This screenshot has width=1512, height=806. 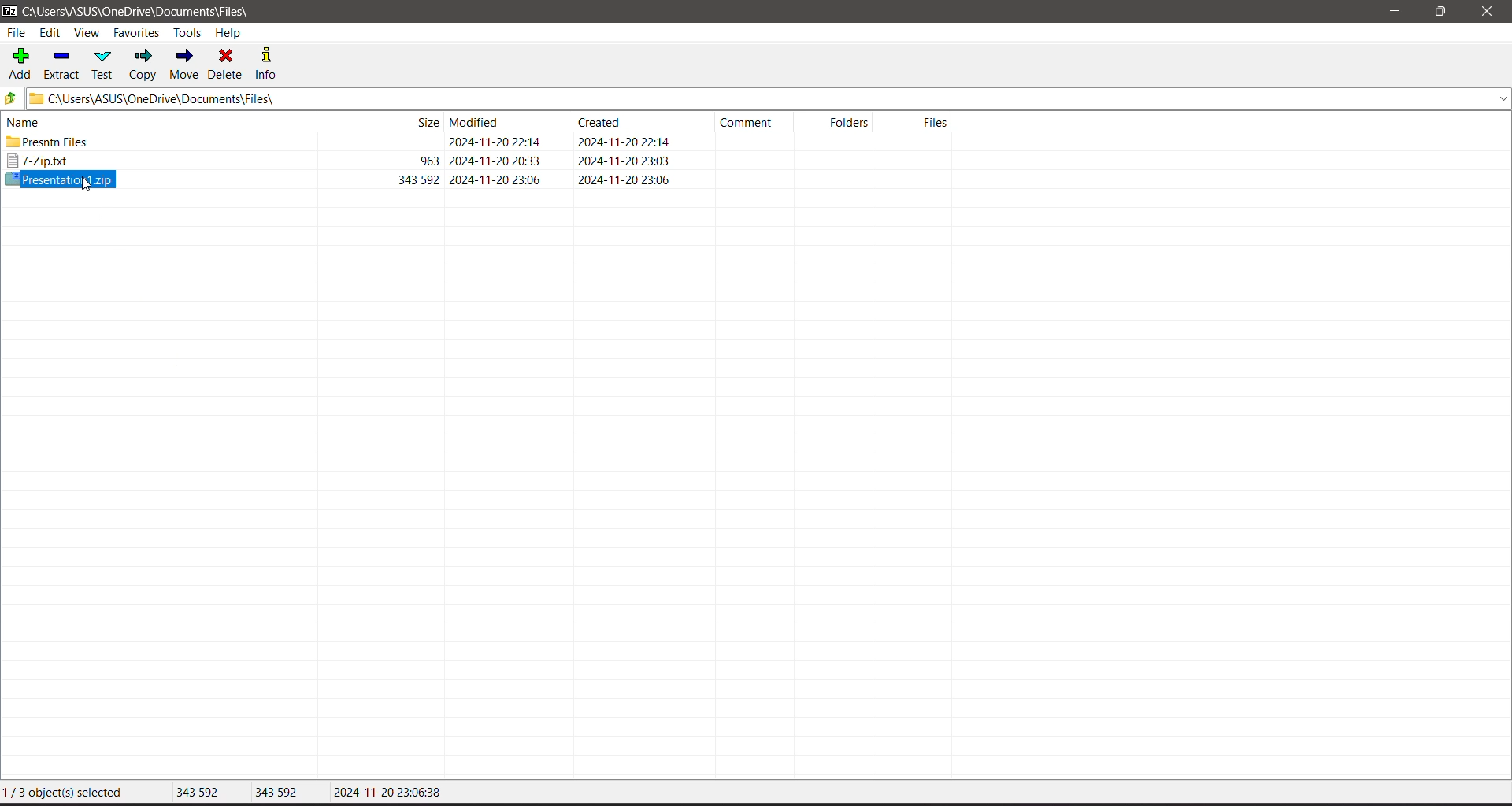 I want to click on Restore Down, so click(x=1442, y=12).